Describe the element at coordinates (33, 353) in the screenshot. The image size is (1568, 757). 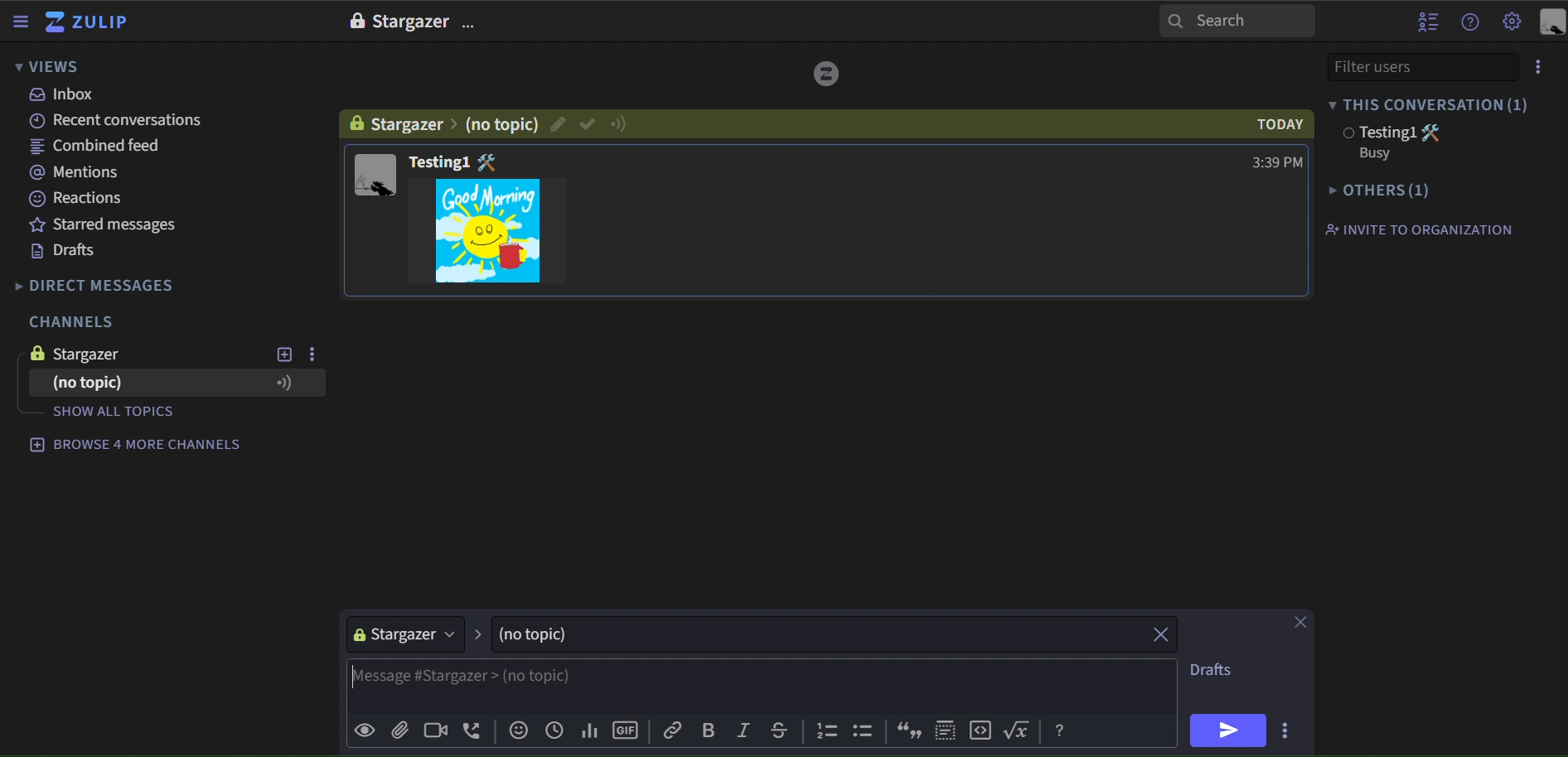
I see `image` at that location.